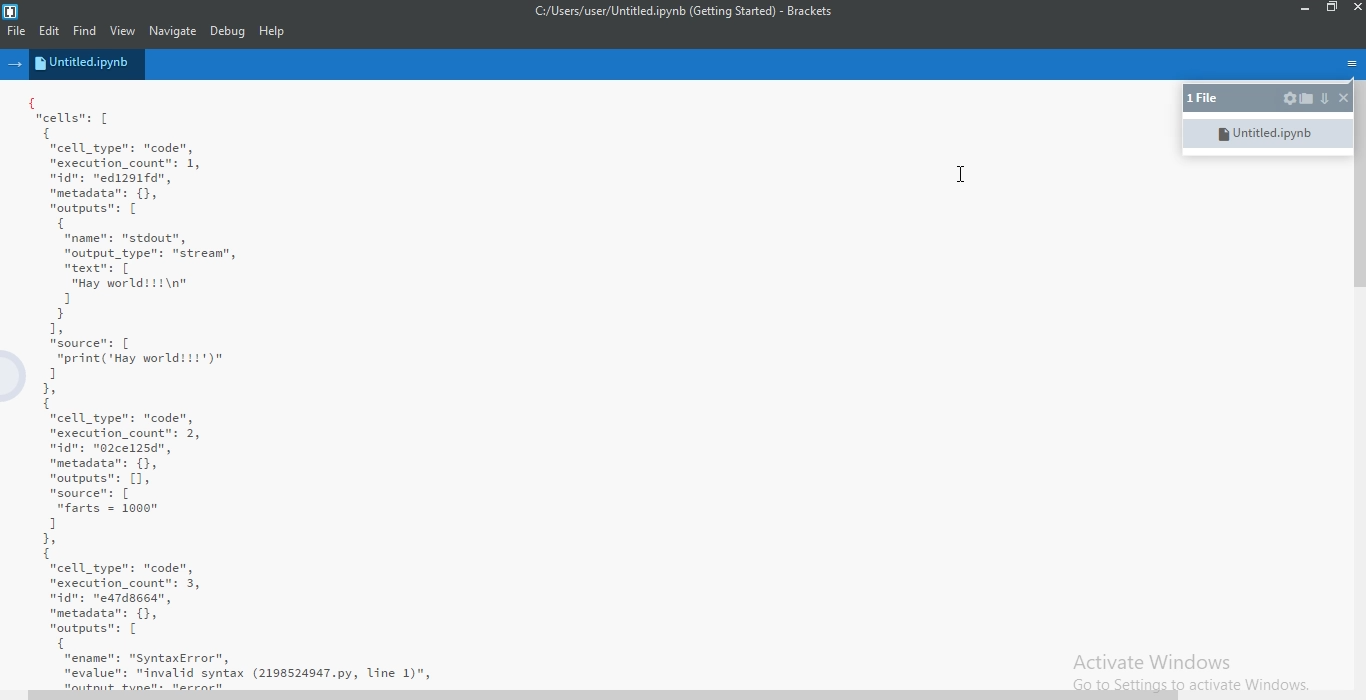 This screenshot has width=1366, height=700. What do you see at coordinates (1331, 10) in the screenshot?
I see `restore` at bounding box center [1331, 10].